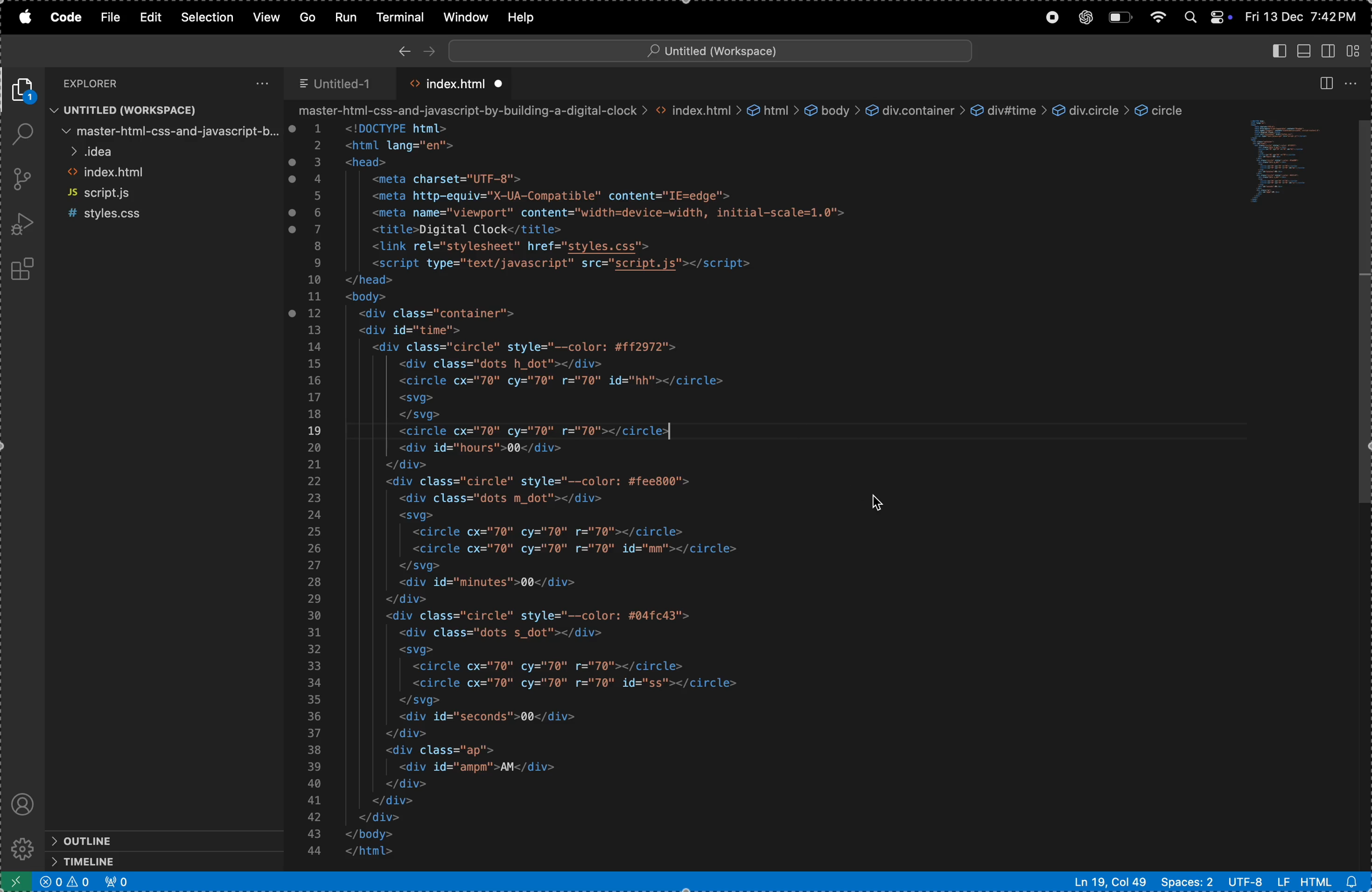 This screenshot has height=892, width=1372. I want to click on CODE, so click(66, 18).